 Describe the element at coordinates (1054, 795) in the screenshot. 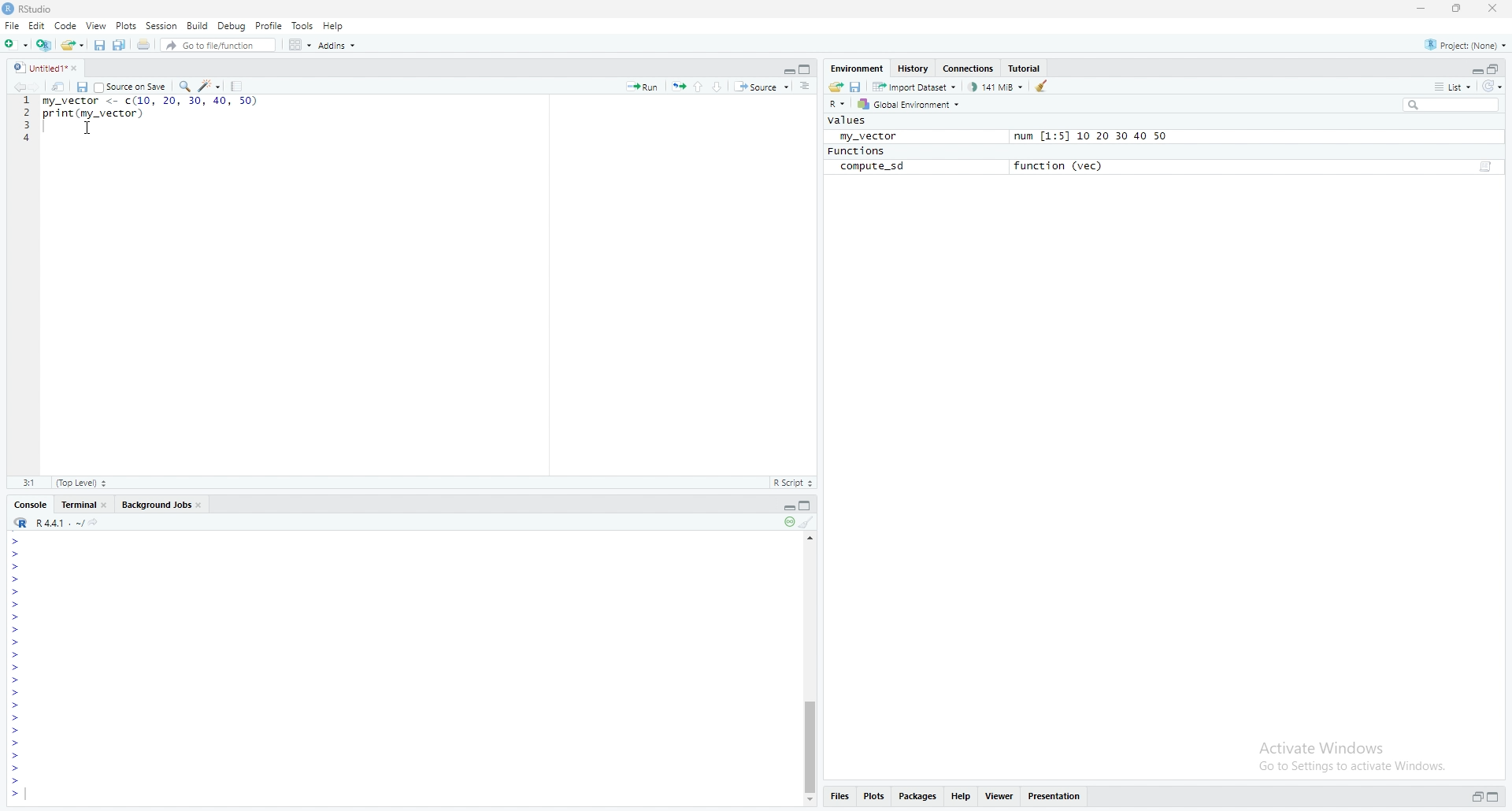

I see `Presentation` at that location.